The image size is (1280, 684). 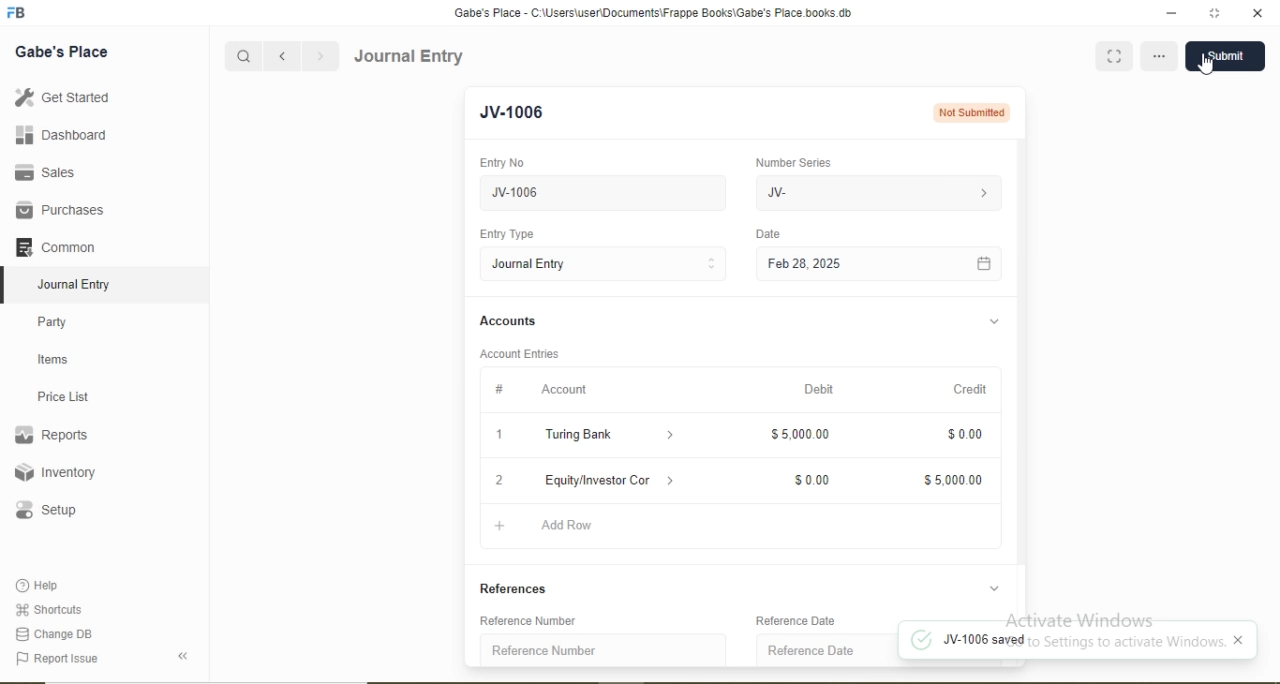 I want to click on Help, so click(x=39, y=585).